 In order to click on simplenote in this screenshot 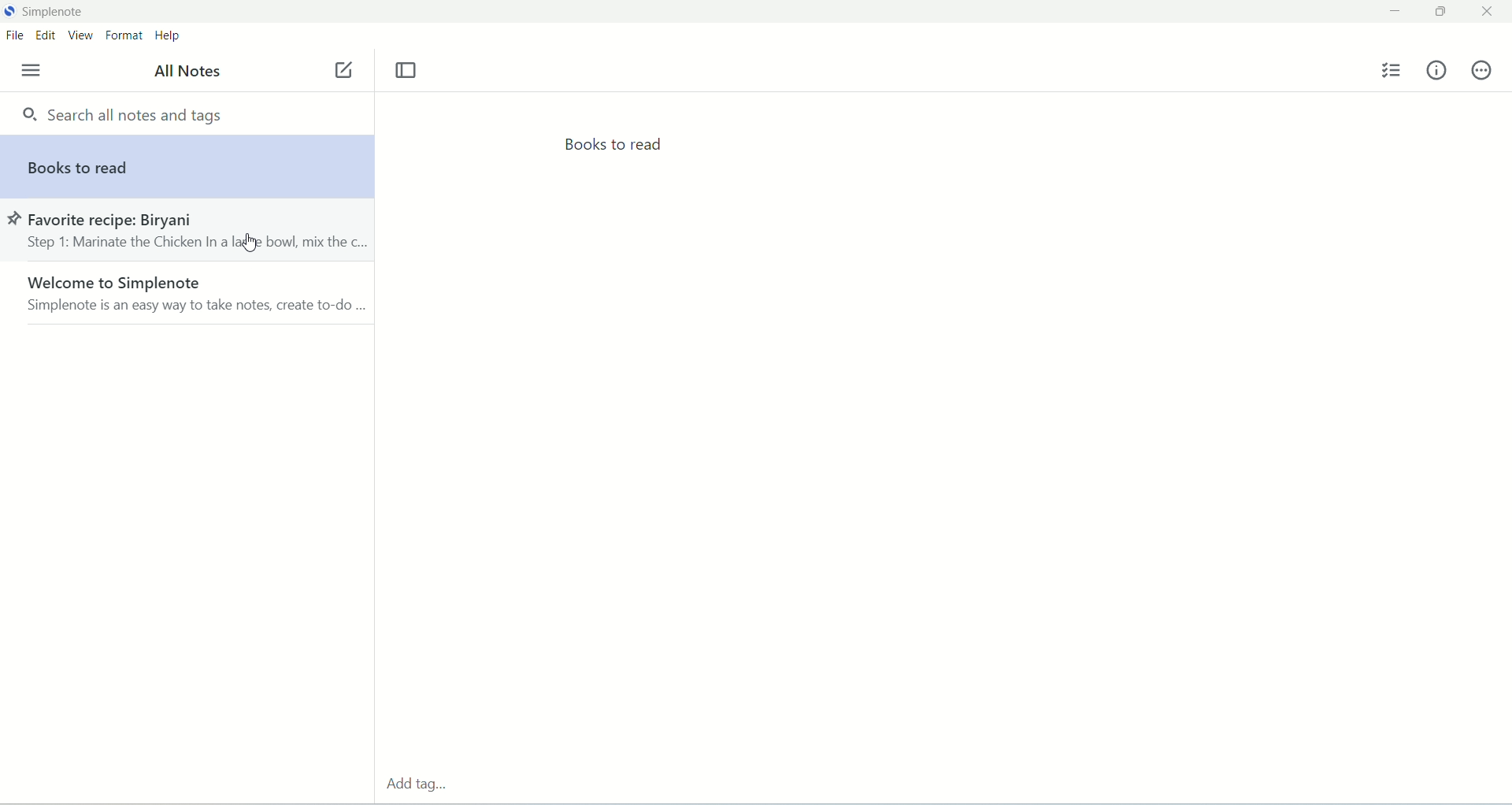, I will do `click(55, 13)`.